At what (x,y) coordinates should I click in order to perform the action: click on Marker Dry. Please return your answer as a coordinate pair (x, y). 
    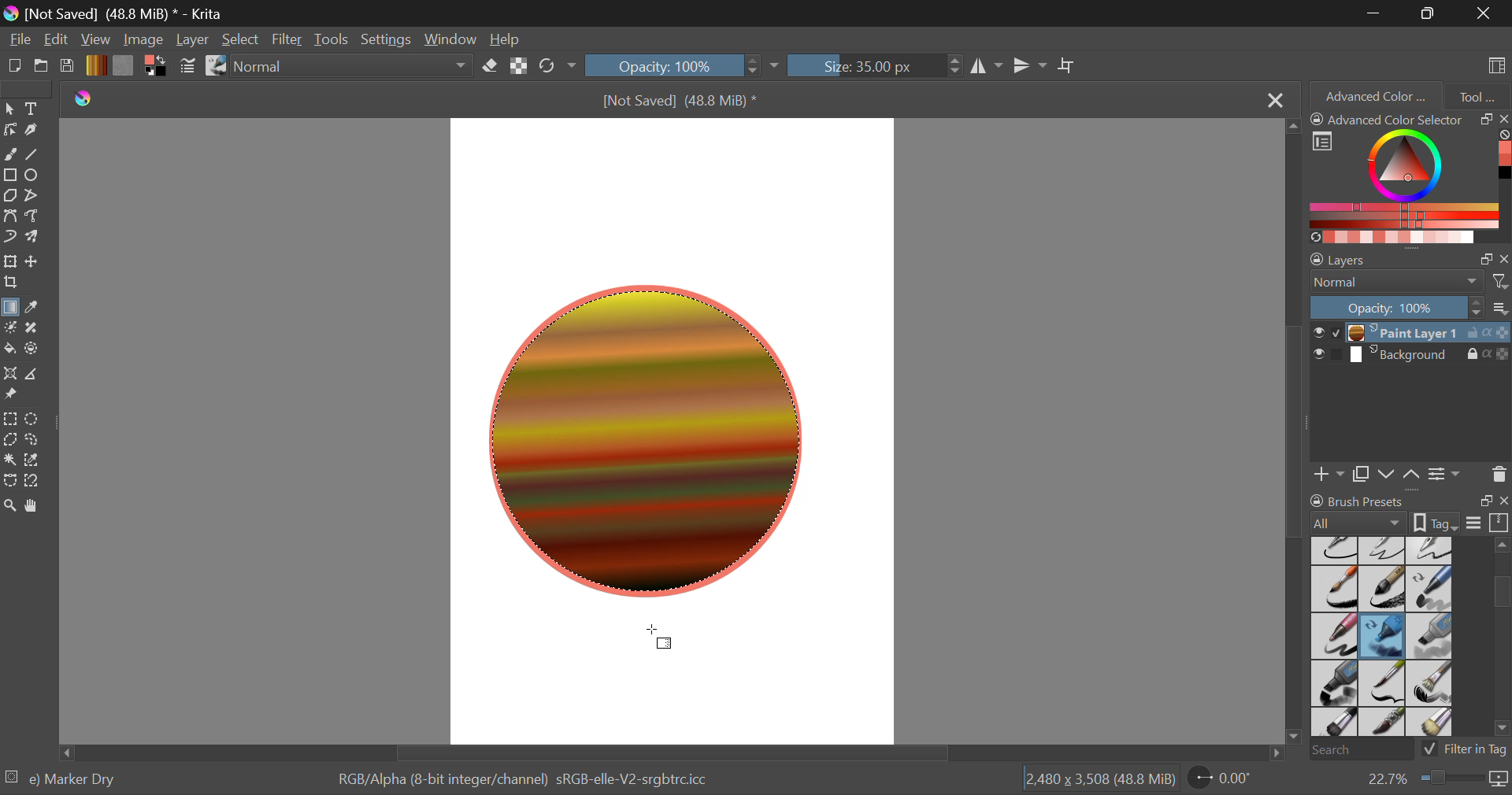
    Looking at the image, I should click on (1383, 636).